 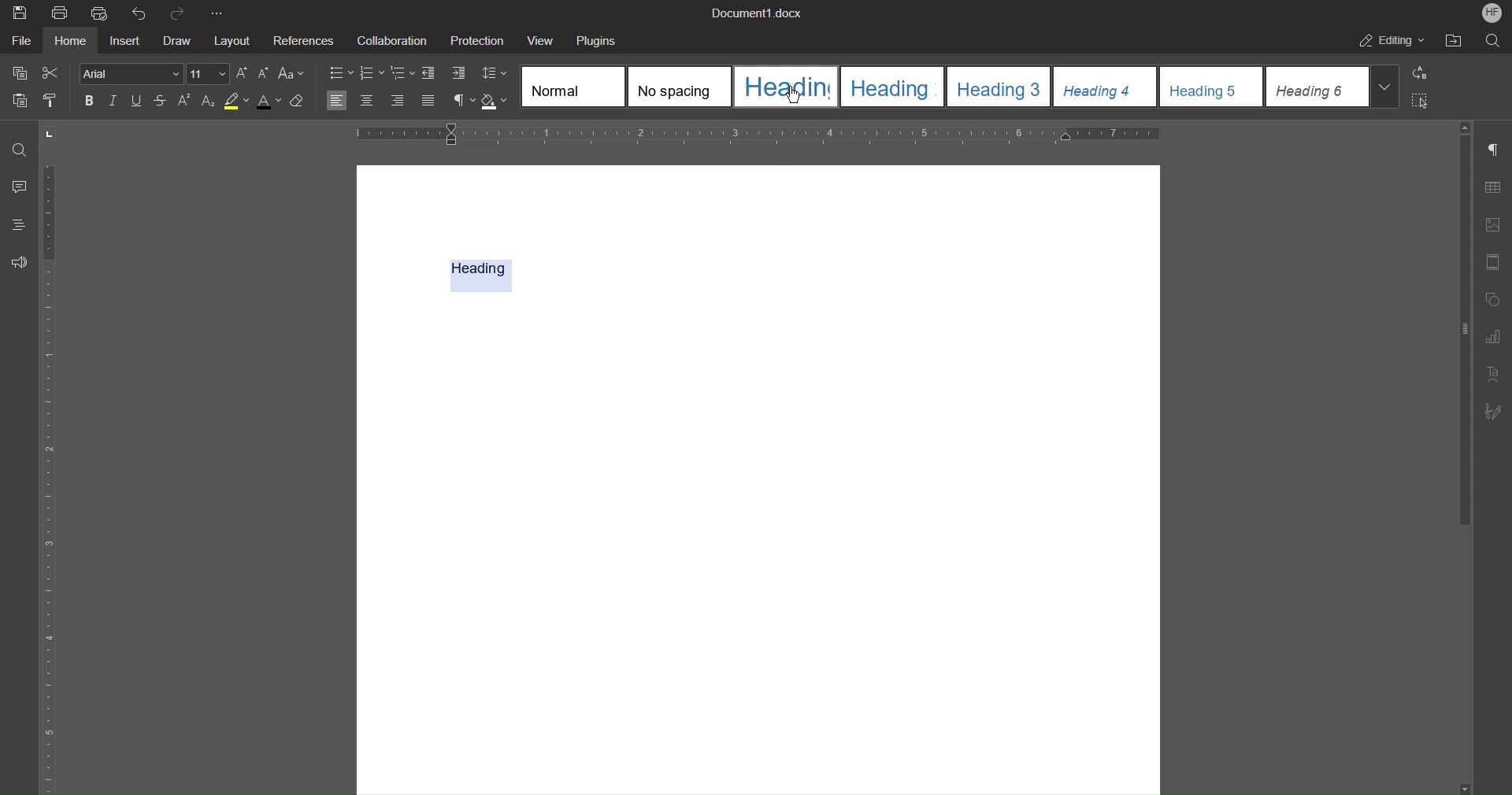 What do you see at coordinates (102, 11) in the screenshot?
I see `Quick Print` at bounding box center [102, 11].